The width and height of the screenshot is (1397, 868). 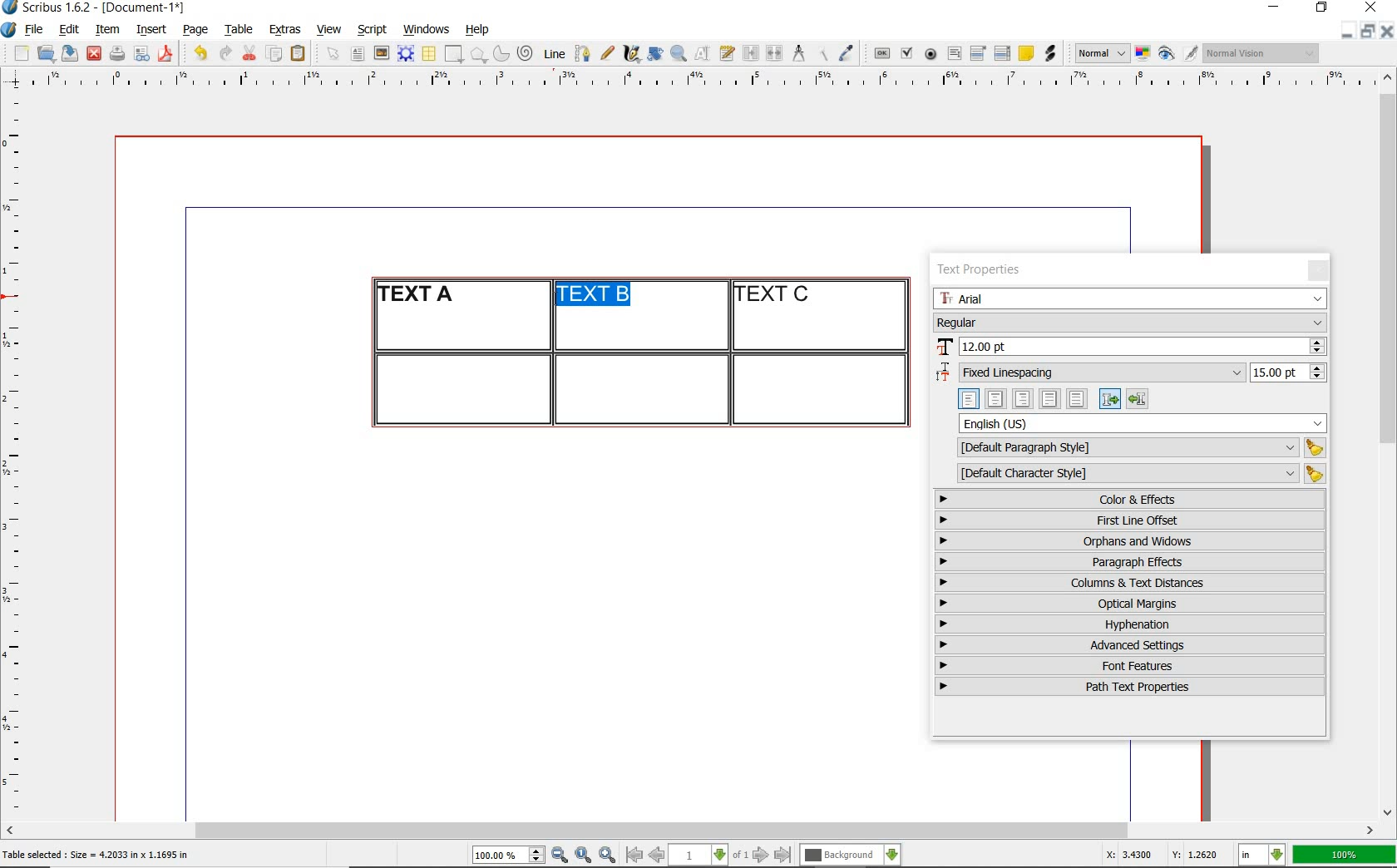 What do you see at coordinates (607, 53) in the screenshot?
I see `freehand line` at bounding box center [607, 53].